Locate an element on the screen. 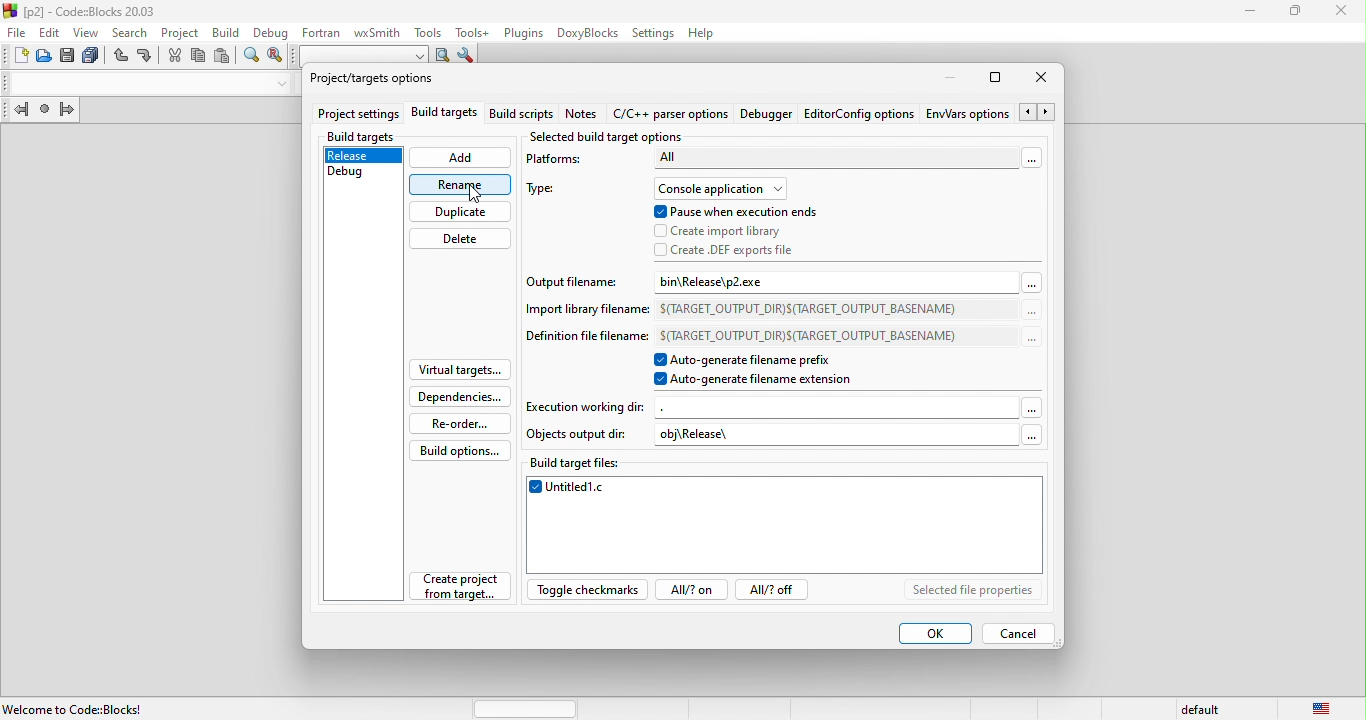 Image resolution: width=1366 pixels, height=720 pixels. release is located at coordinates (364, 157).